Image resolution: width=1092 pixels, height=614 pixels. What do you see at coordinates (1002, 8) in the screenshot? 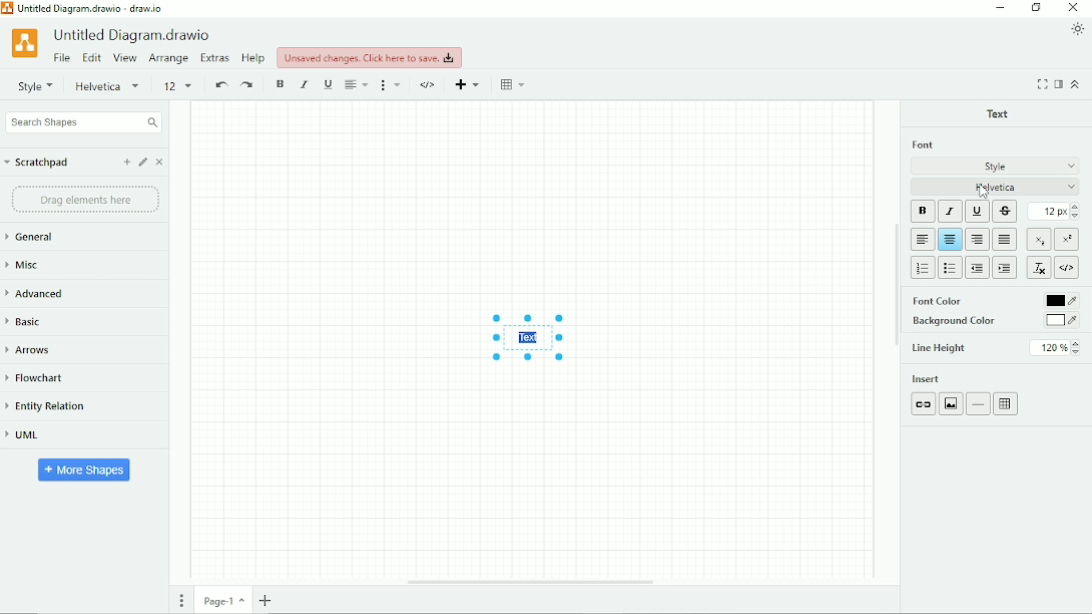
I see `Minimize` at bounding box center [1002, 8].